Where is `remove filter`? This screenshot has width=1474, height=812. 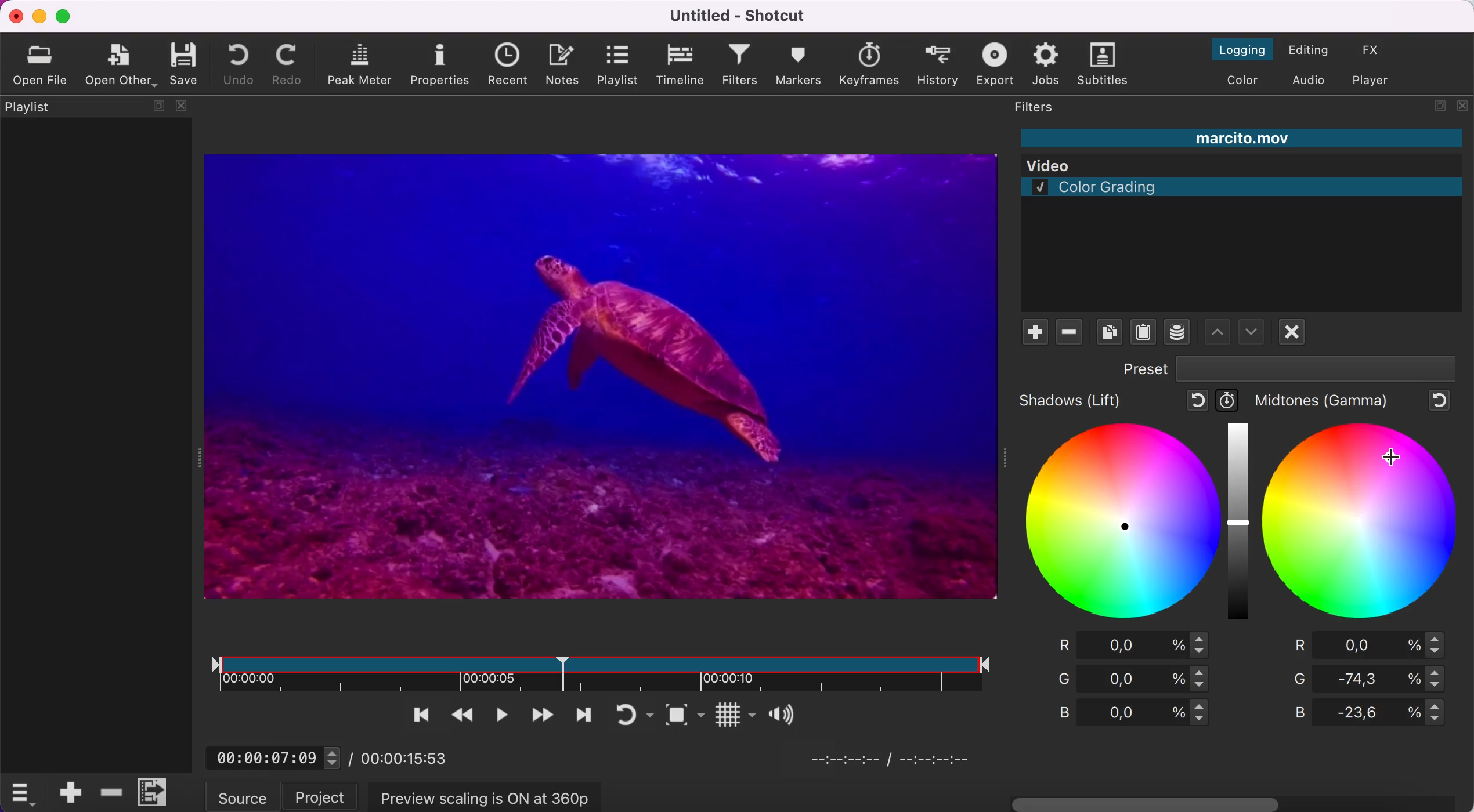
remove filter is located at coordinates (1072, 333).